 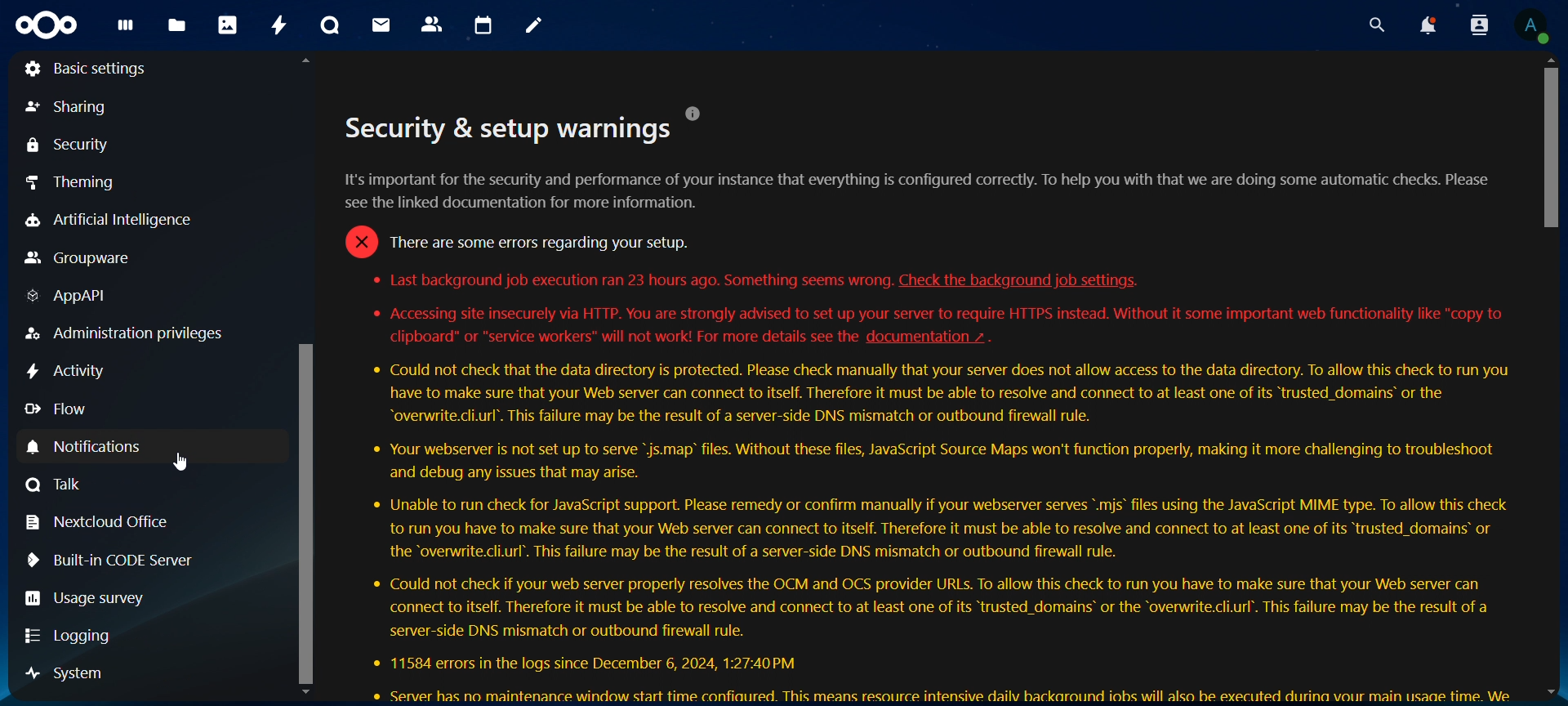 I want to click on contacts, so click(x=432, y=26).